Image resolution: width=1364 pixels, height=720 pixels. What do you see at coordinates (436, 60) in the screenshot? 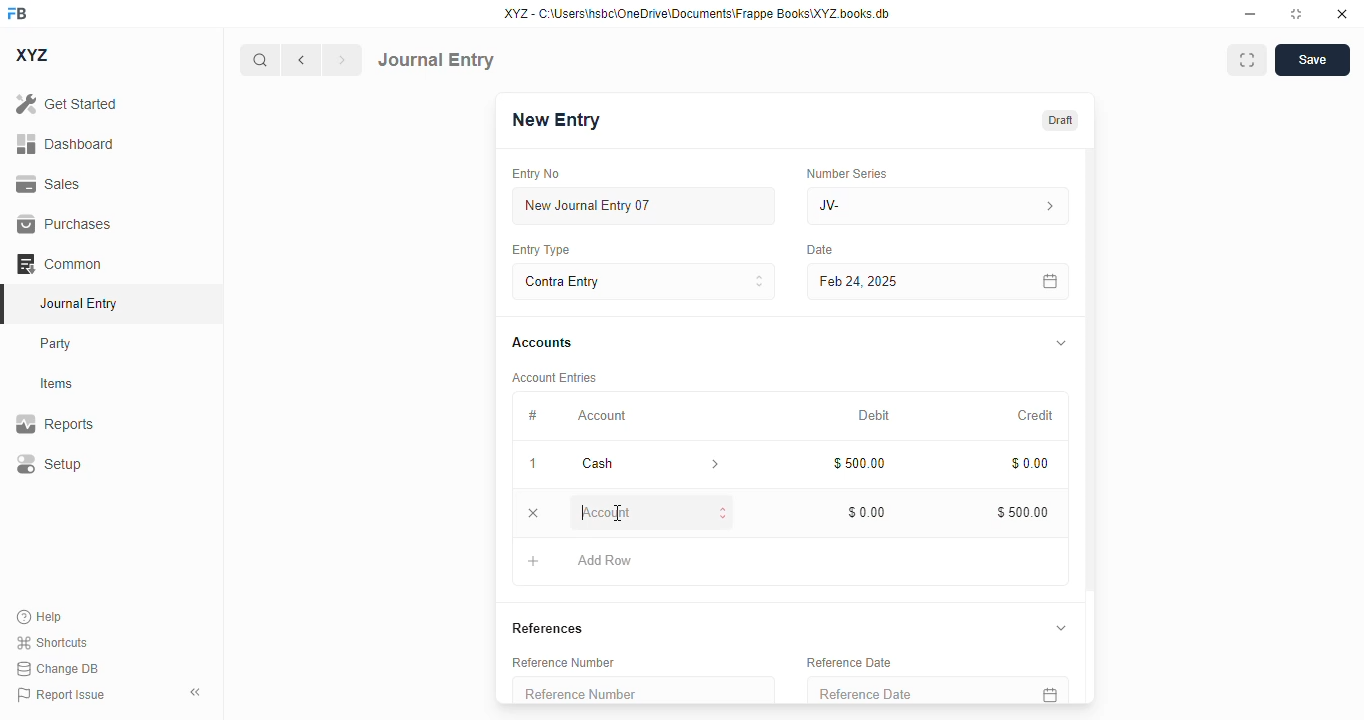
I see `journal entry` at bounding box center [436, 60].